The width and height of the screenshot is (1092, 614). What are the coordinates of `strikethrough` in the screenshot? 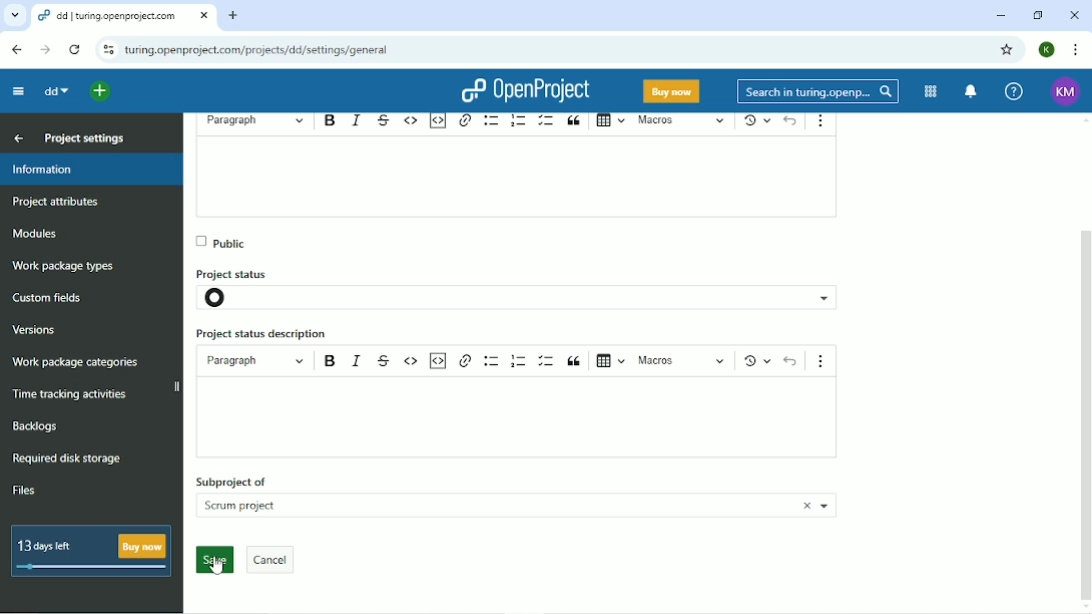 It's located at (386, 359).